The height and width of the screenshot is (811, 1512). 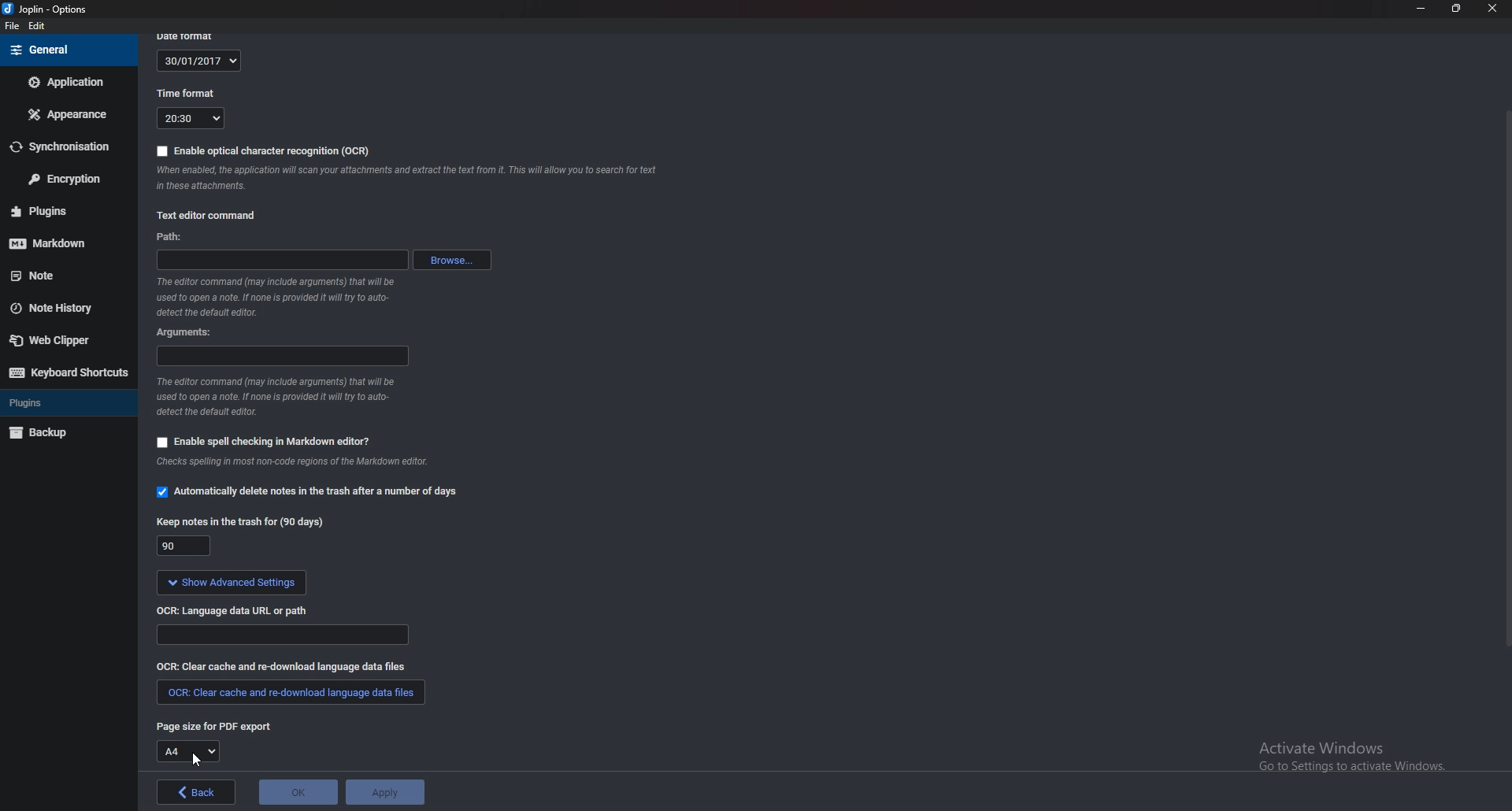 What do you see at coordinates (198, 61) in the screenshot?
I see `30/01/2017` at bounding box center [198, 61].